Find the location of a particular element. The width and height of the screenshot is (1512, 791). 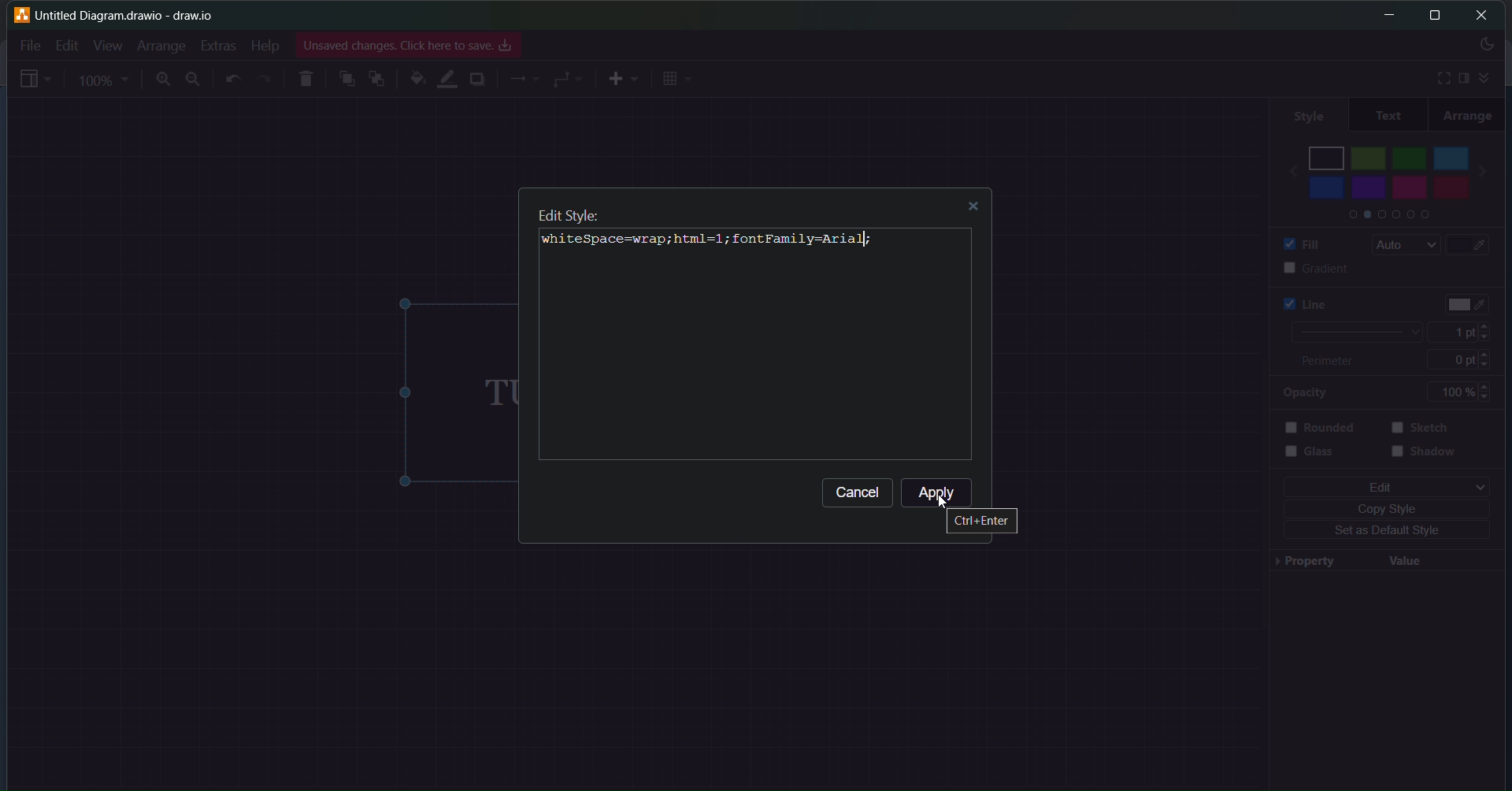

green is located at coordinates (1410, 155).